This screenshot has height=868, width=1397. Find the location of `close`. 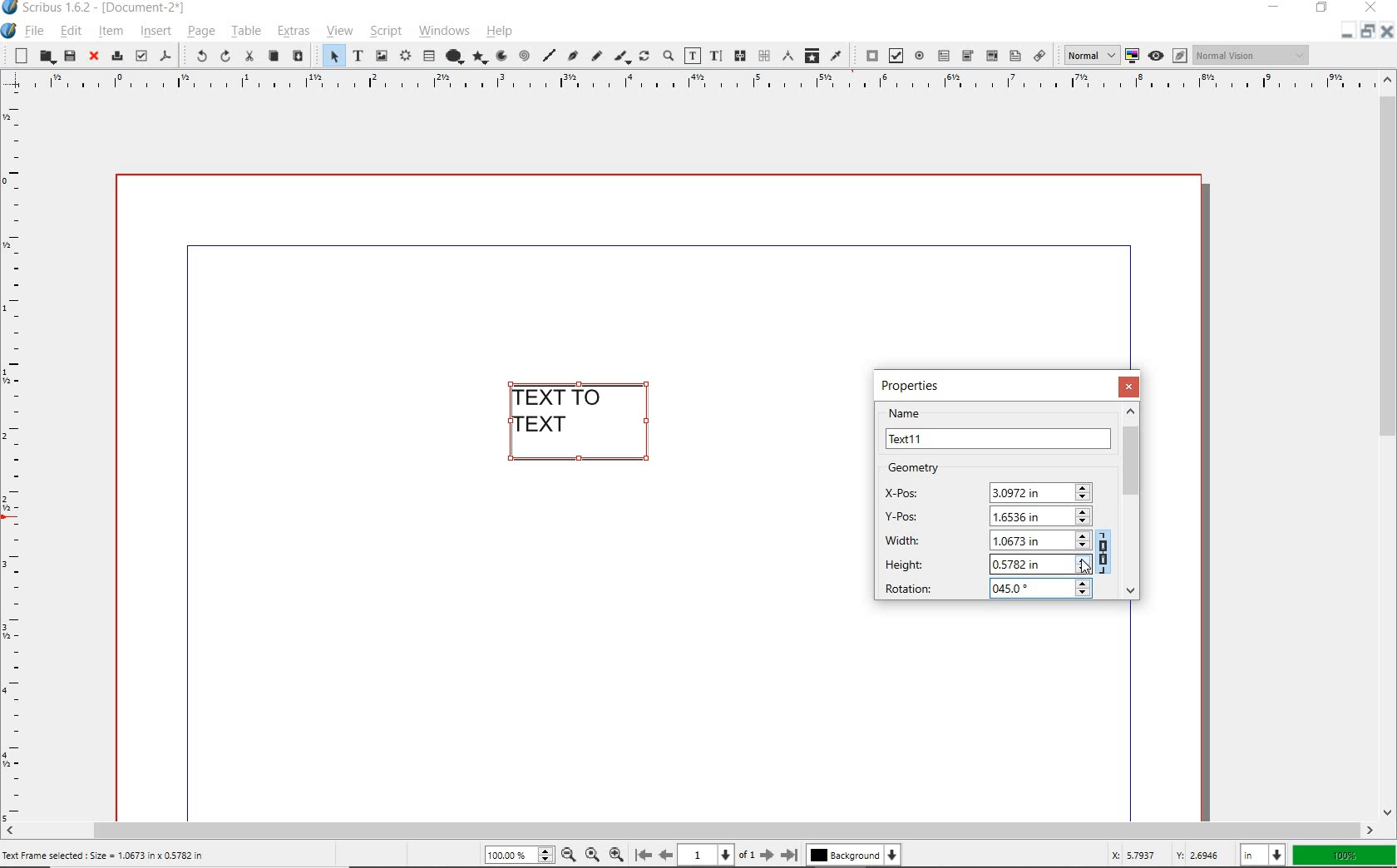

close is located at coordinates (94, 57).